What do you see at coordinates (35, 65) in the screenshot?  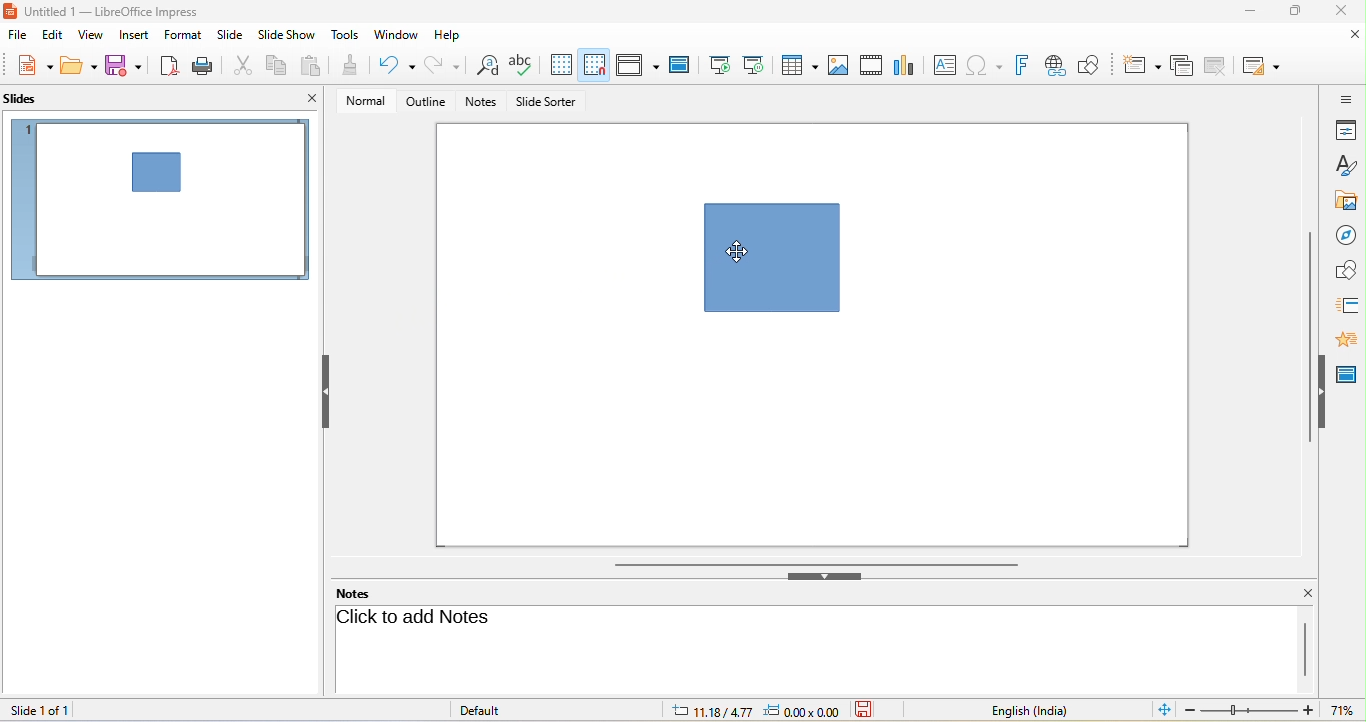 I see `new` at bounding box center [35, 65].